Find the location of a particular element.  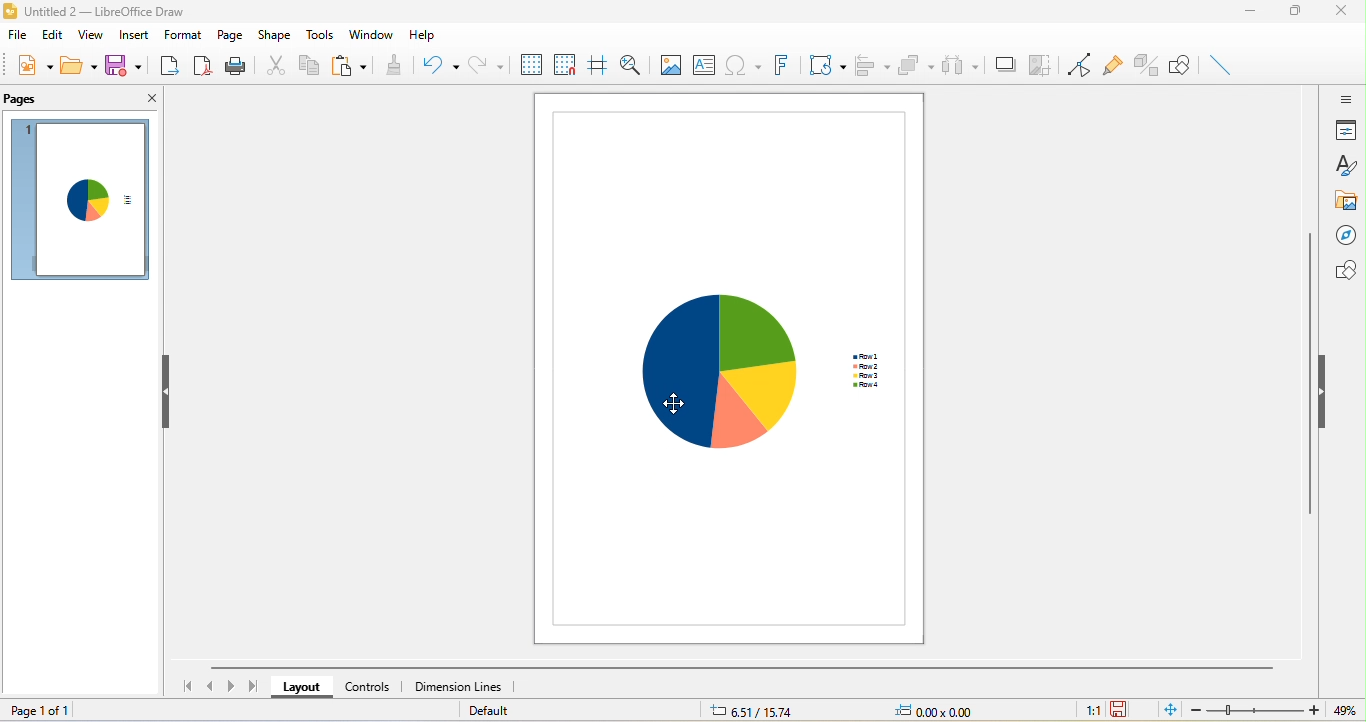

minimize is located at coordinates (1249, 13).